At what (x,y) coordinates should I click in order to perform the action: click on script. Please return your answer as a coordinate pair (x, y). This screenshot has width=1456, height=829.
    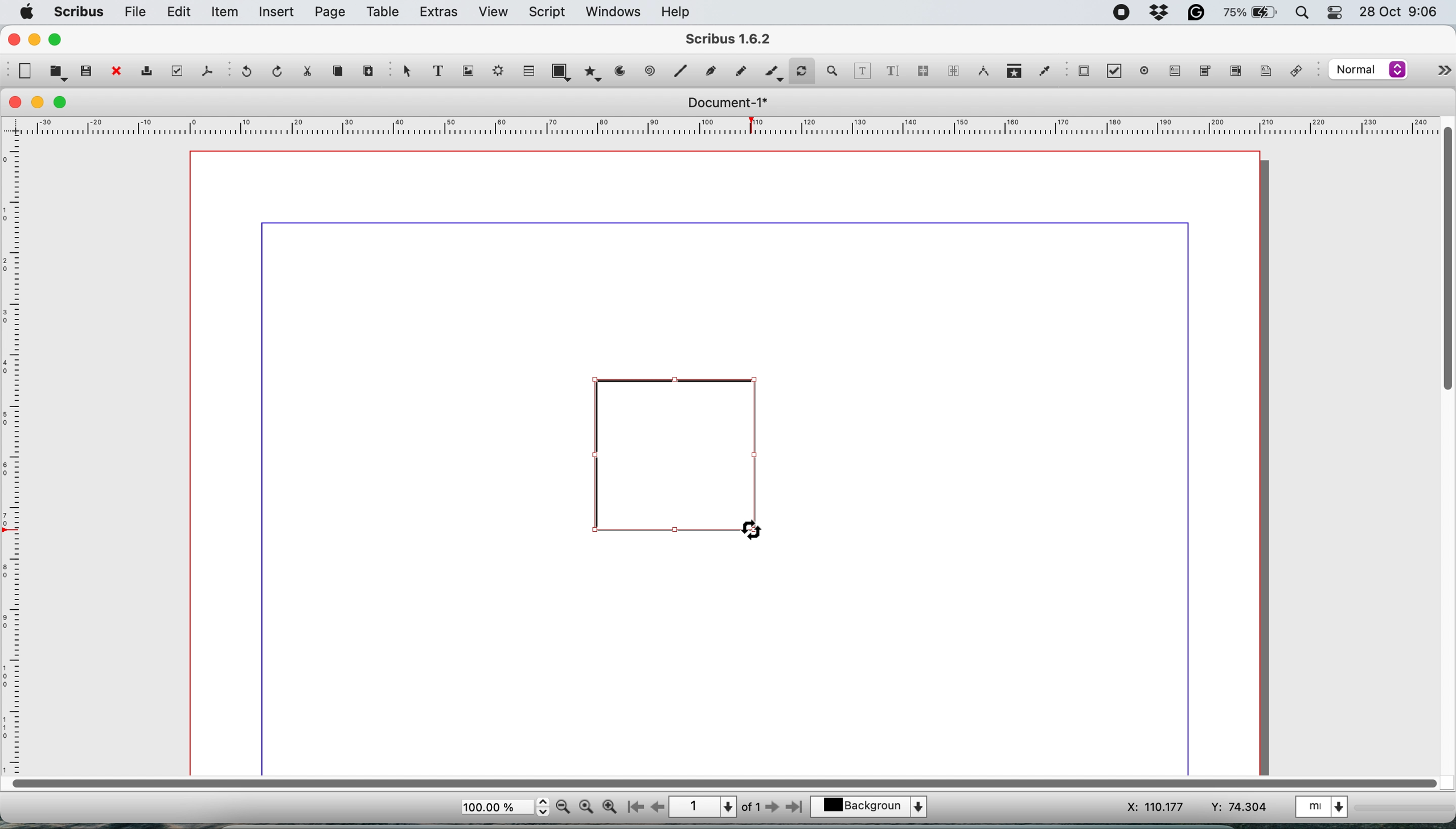
    Looking at the image, I should click on (550, 12).